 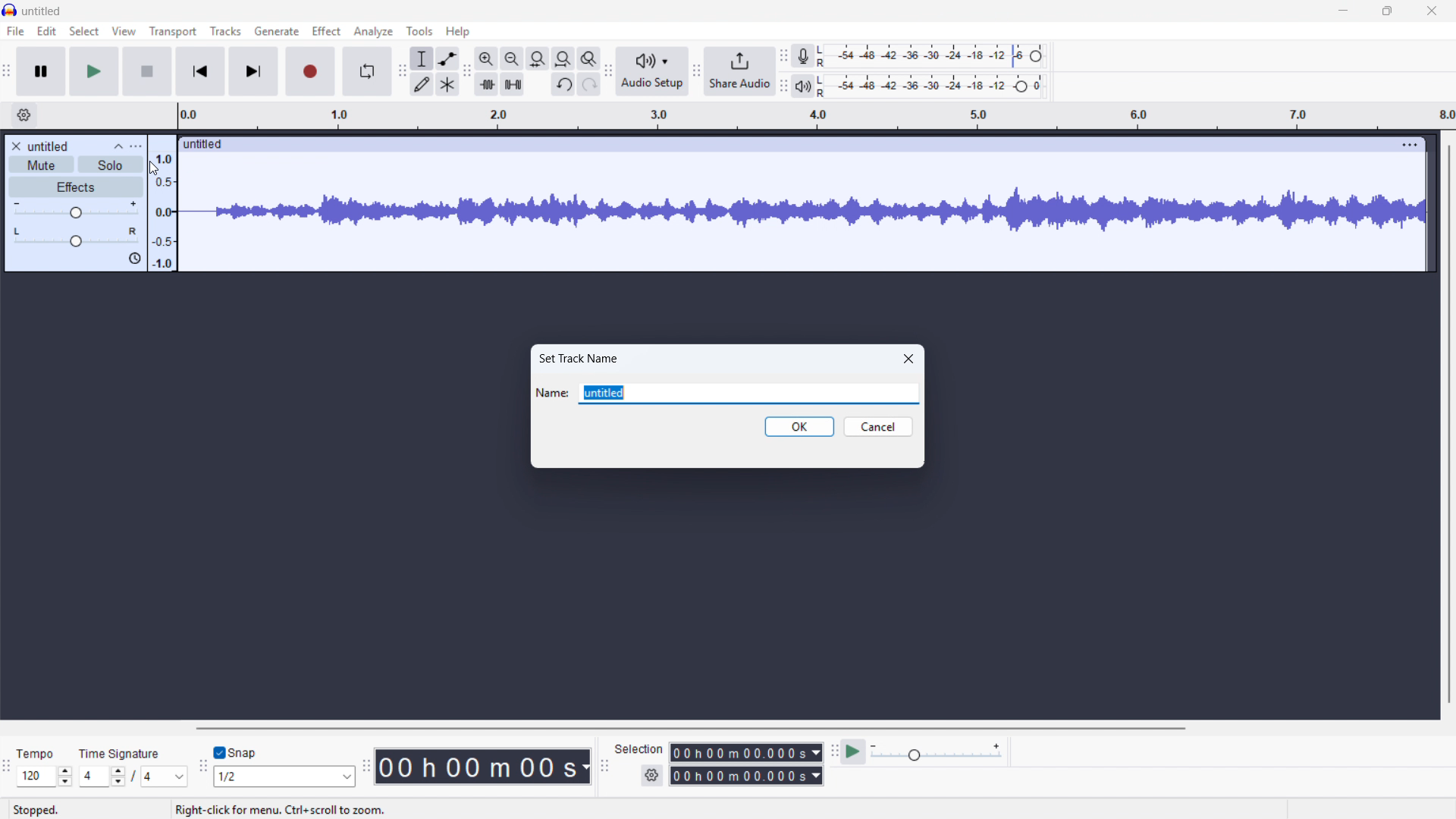 I want to click on Undo, so click(x=563, y=85).